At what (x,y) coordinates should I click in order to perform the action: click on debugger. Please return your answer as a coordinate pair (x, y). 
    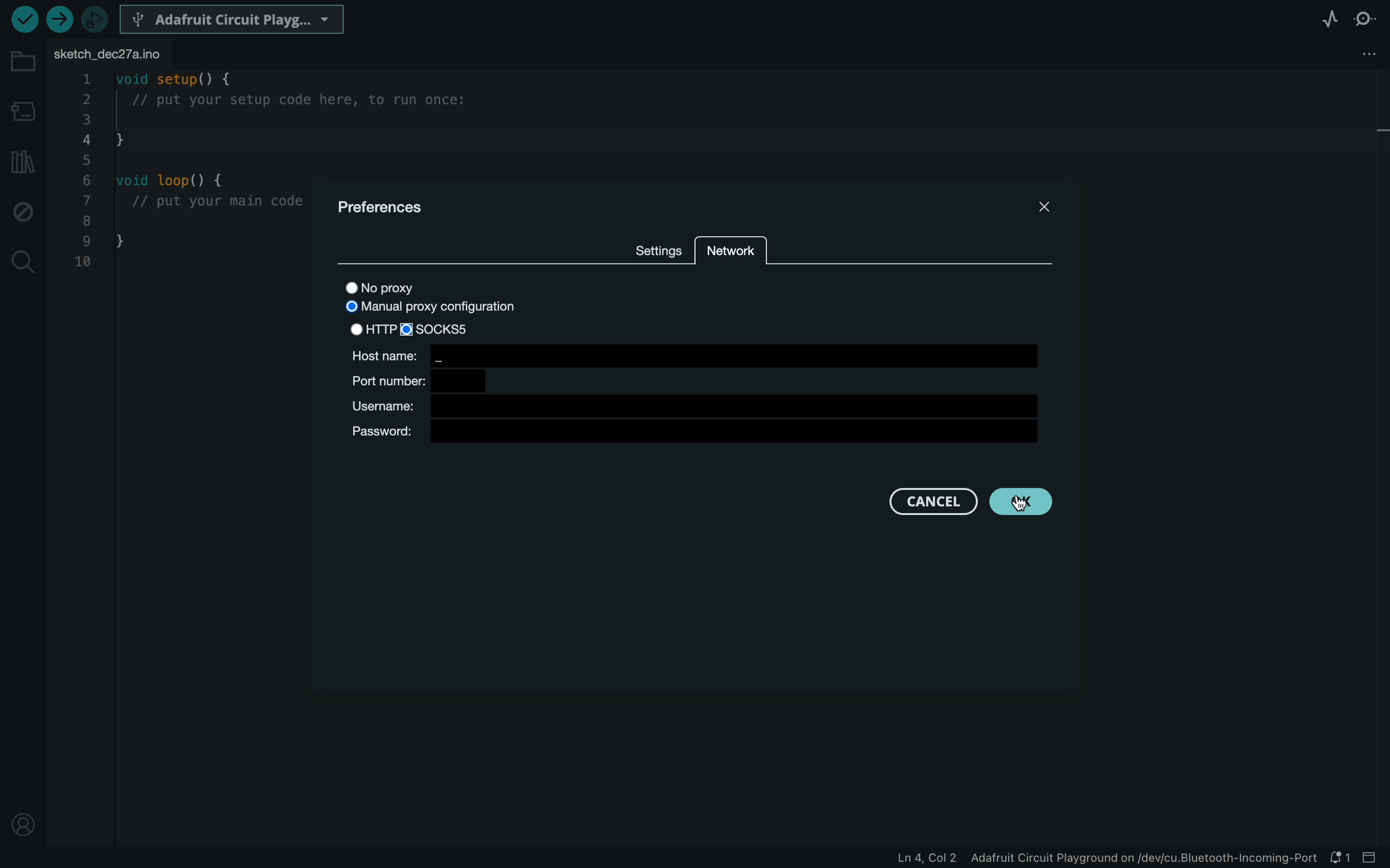
    Looking at the image, I should click on (96, 19).